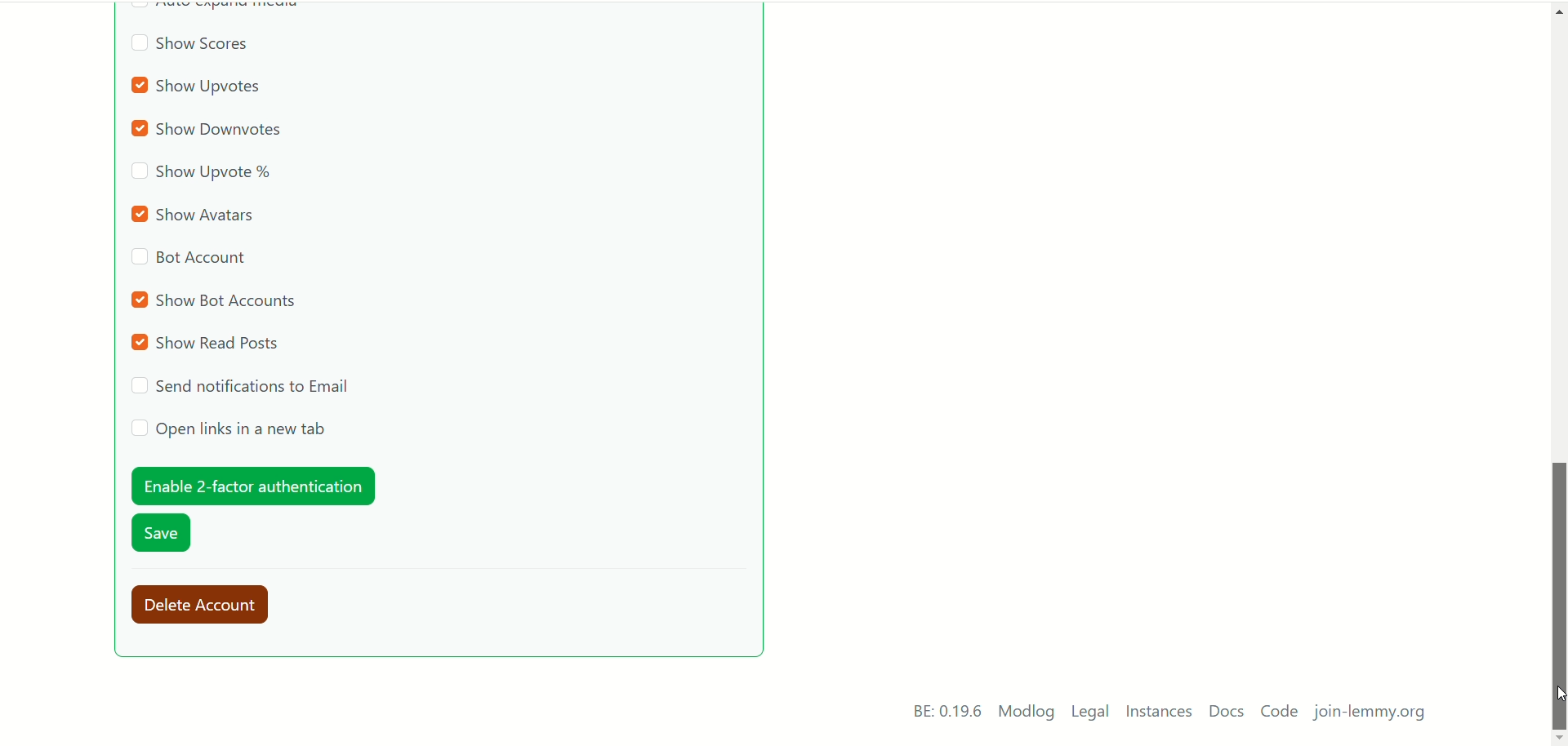 Image resolution: width=1568 pixels, height=746 pixels. What do you see at coordinates (1375, 715) in the screenshot?
I see `JOIN-LEMMY.ORG` at bounding box center [1375, 715].